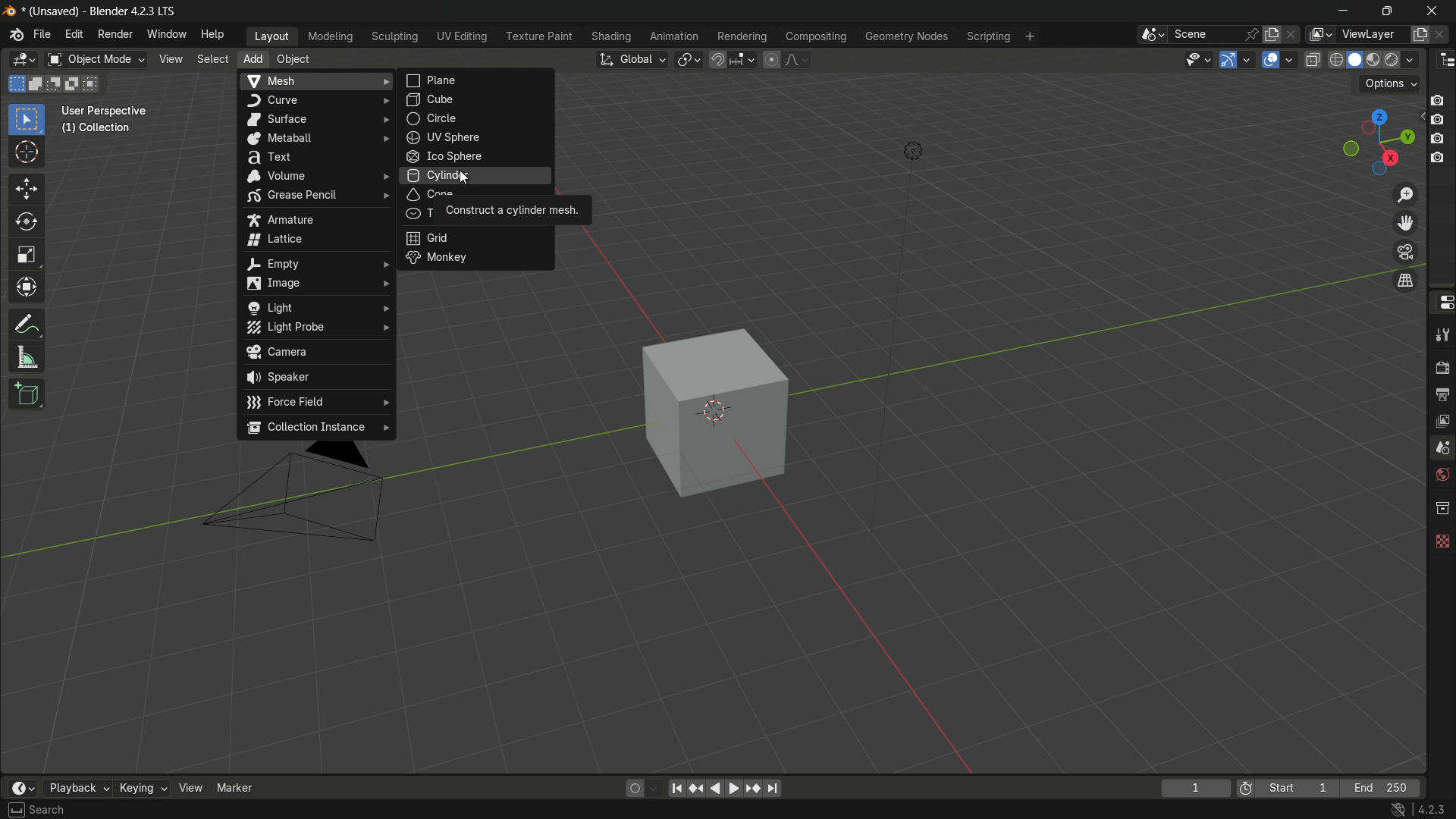  What do you see at coordinates (1436, 158) in the screenshot?
I see `capture` at bounding box center [1436, 158].